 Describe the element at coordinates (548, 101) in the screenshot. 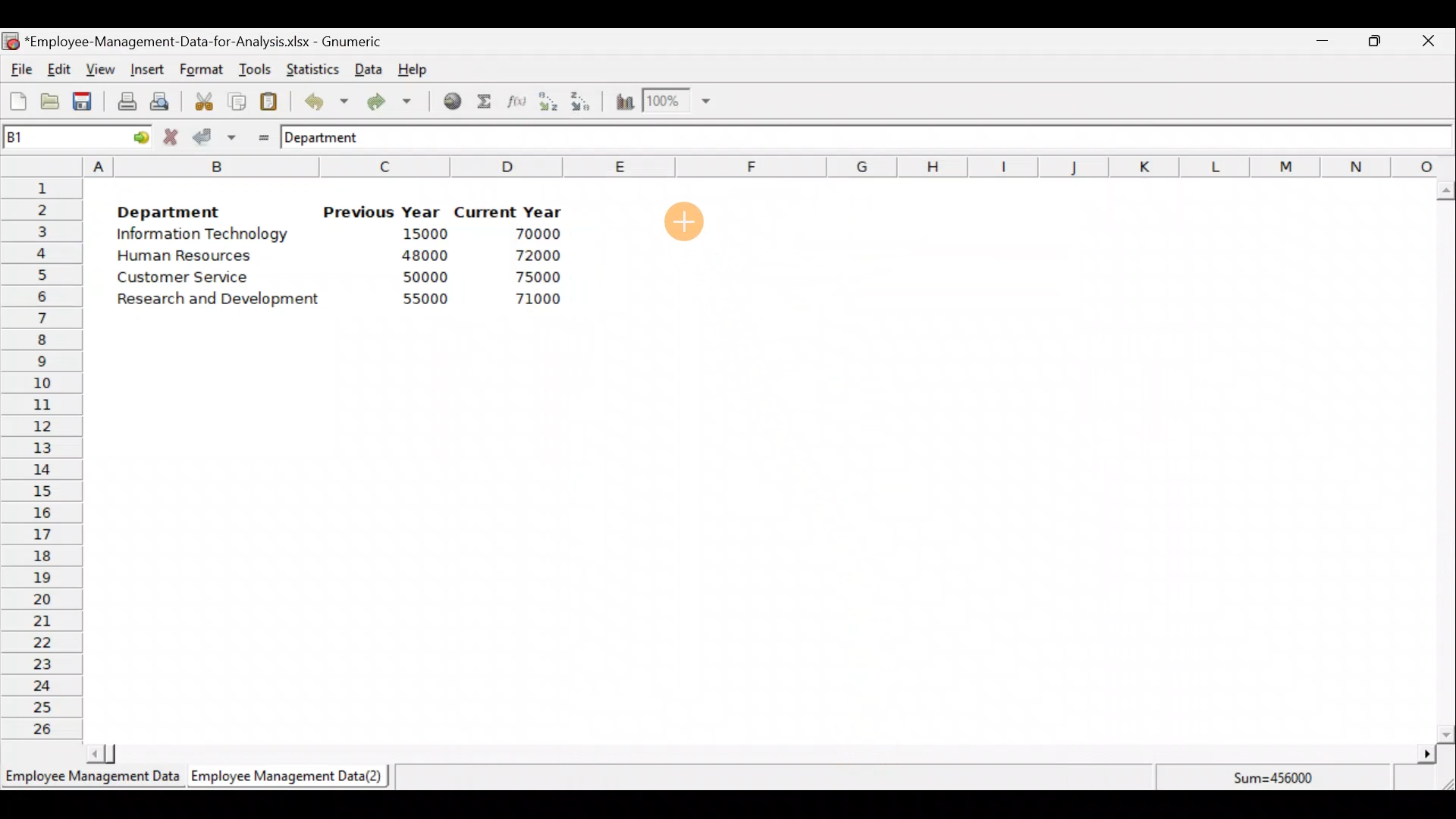

I see `Sort in Ascending order` at that location.